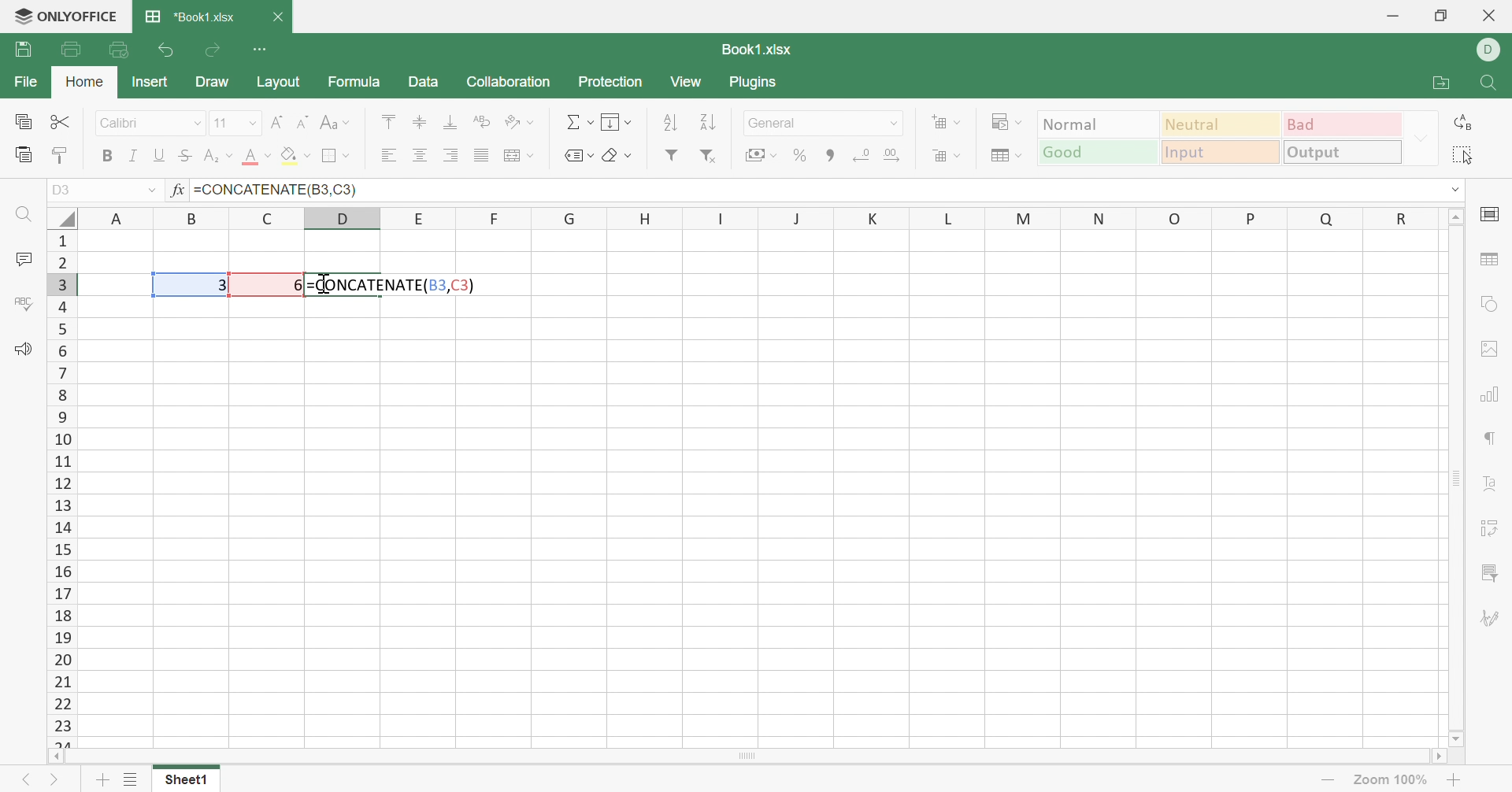 The width and height of the screenshot is (1512, 792). I want to click on Cell settings, so click(1493, 213).